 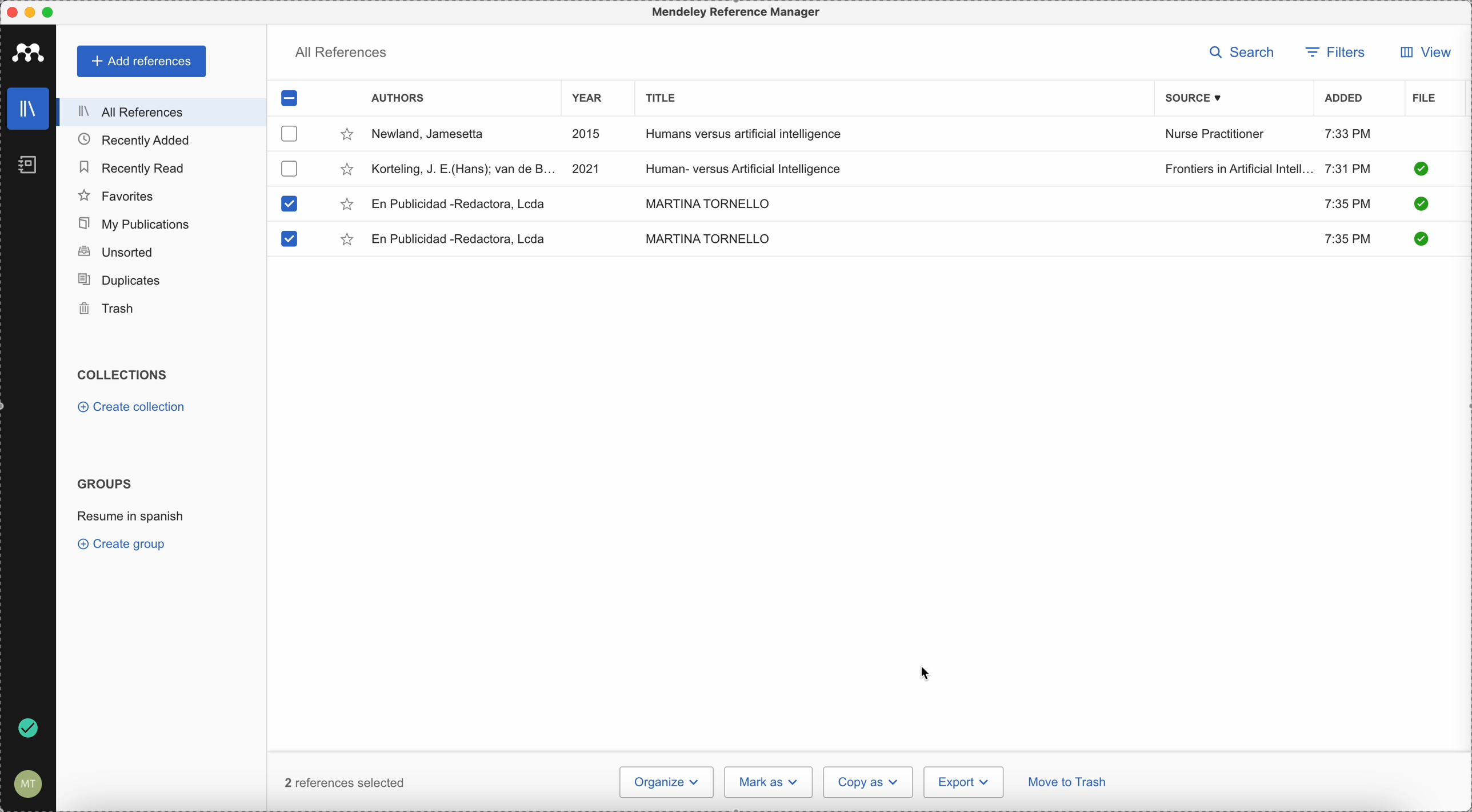 What do you see at coordinates (1348, 167) in the screenshot?
I see `7:31 PM` at bounding box center [1348, 167].